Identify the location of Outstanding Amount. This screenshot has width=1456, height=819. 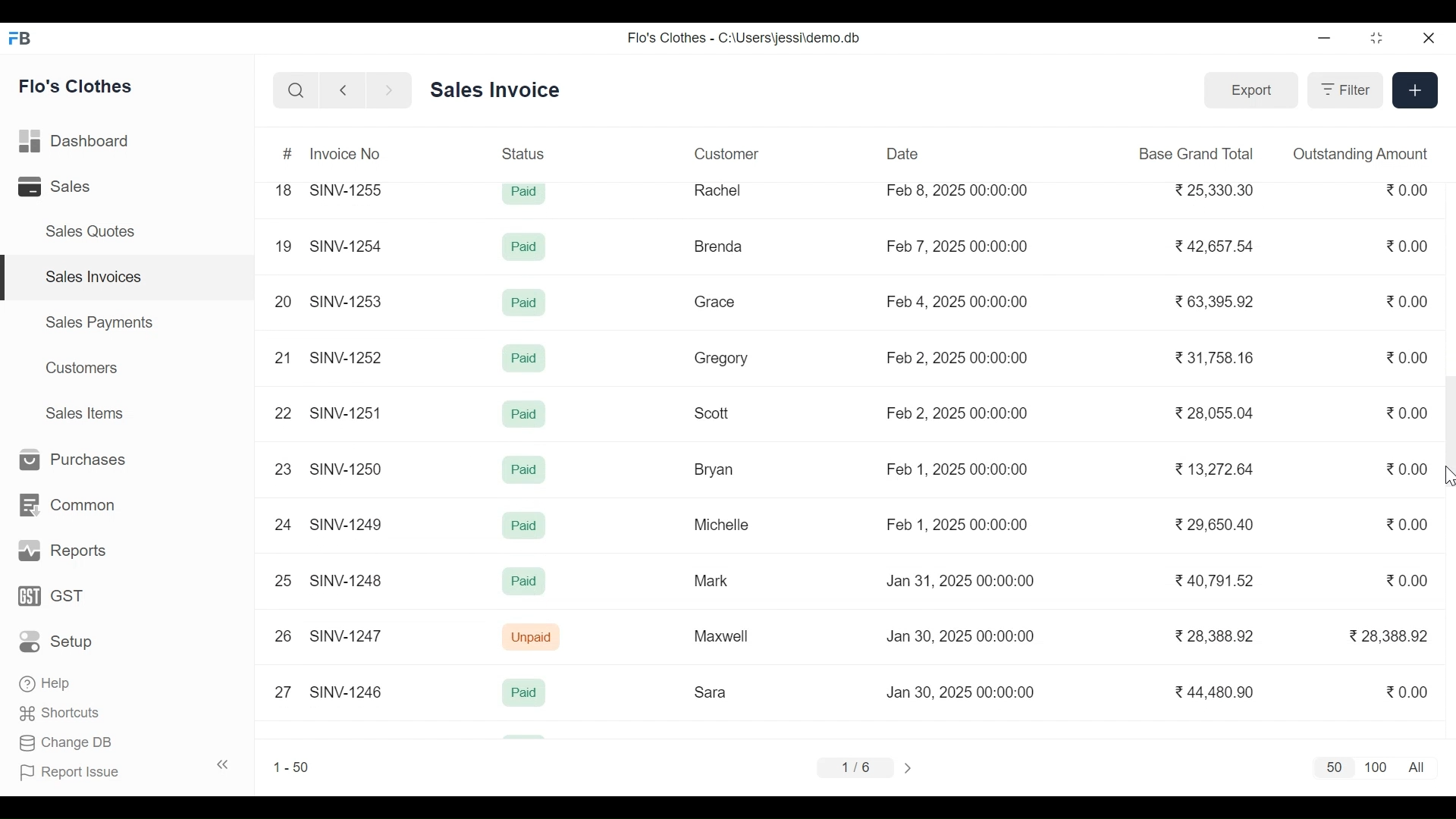
(1360, 153).